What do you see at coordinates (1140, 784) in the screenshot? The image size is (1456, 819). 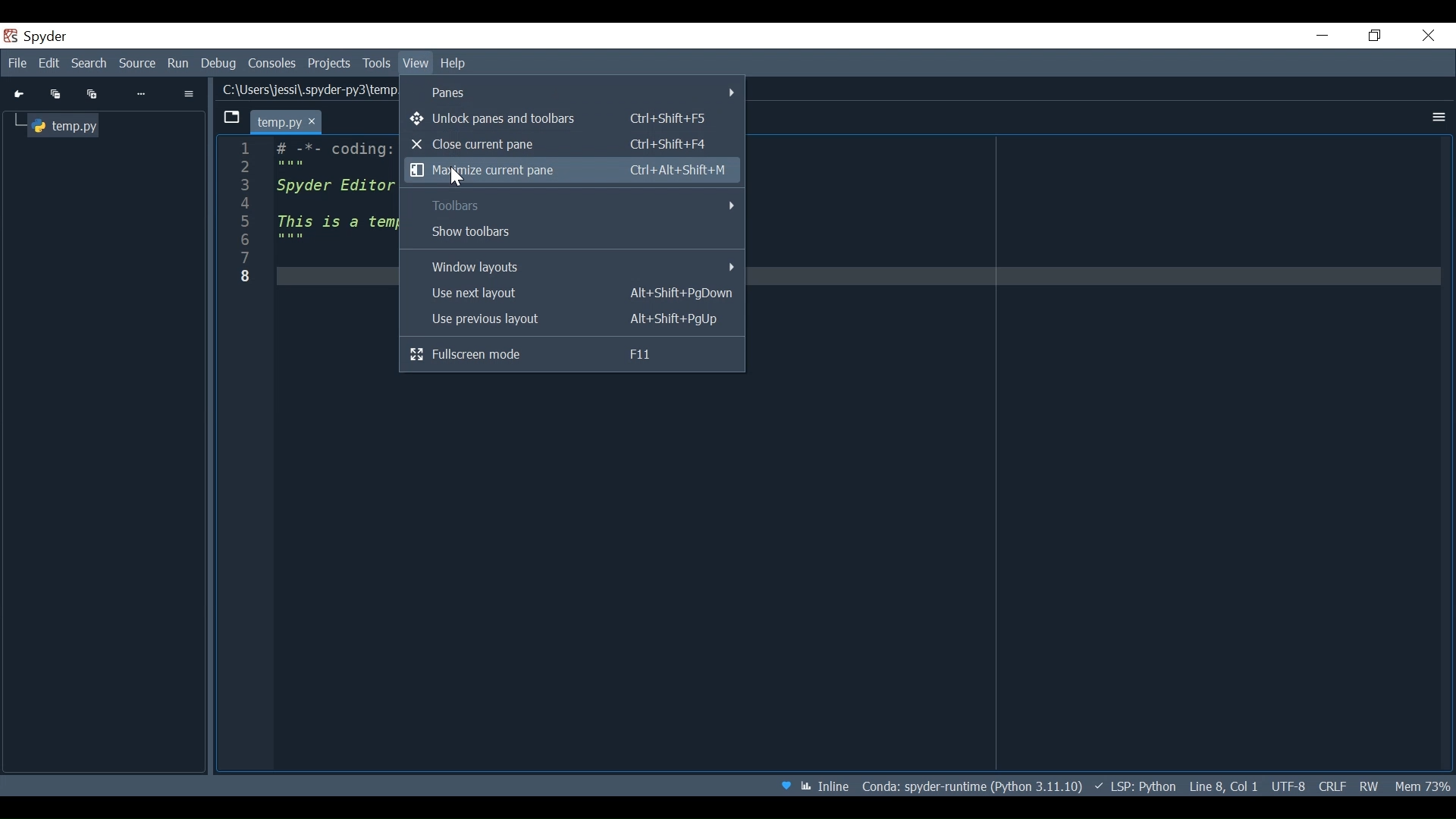 I see `~ LSP: Python` at bounding box center [1140, 784].